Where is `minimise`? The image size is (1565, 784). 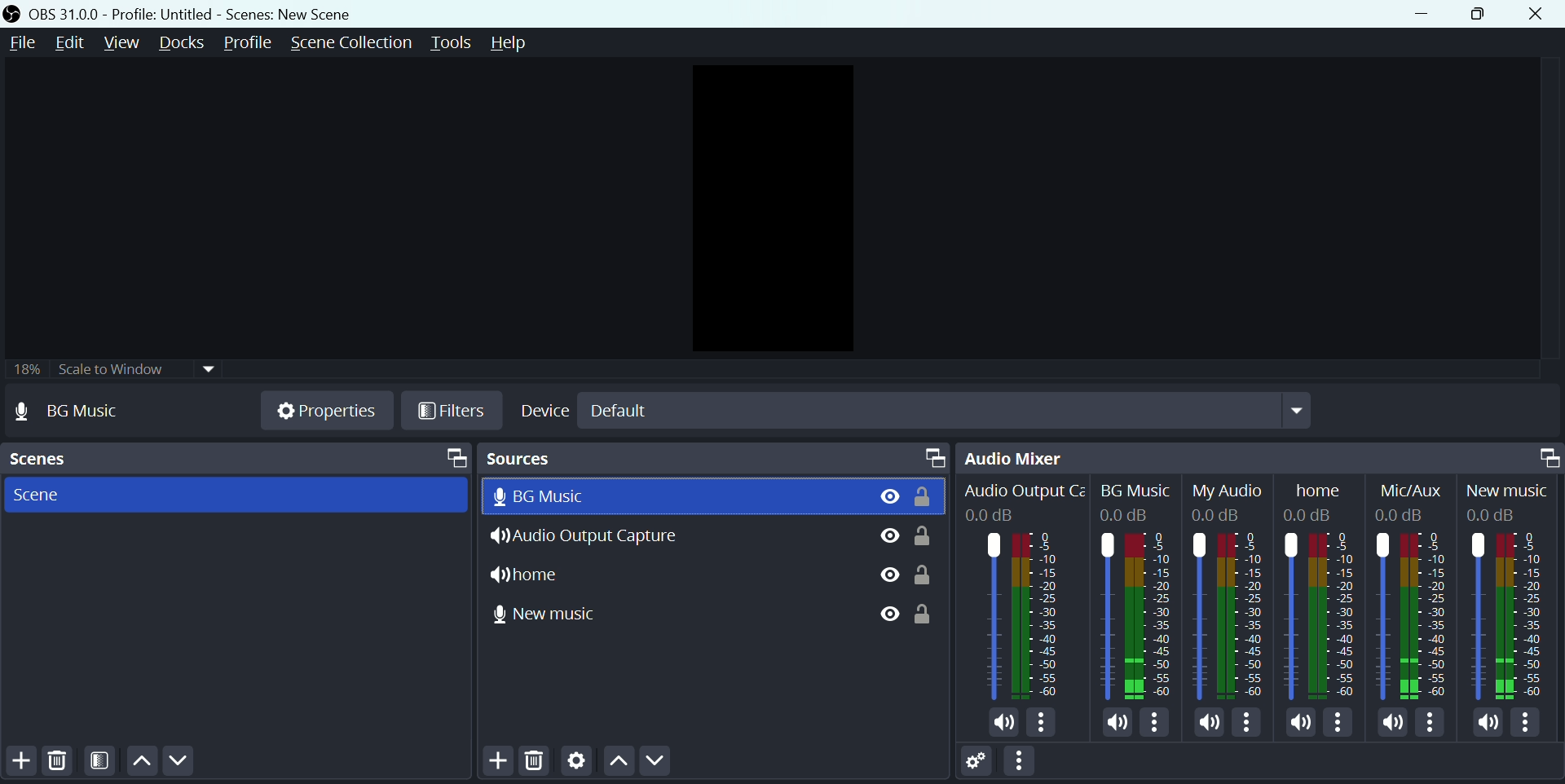 minimise is located at coordinates (1414, 13).